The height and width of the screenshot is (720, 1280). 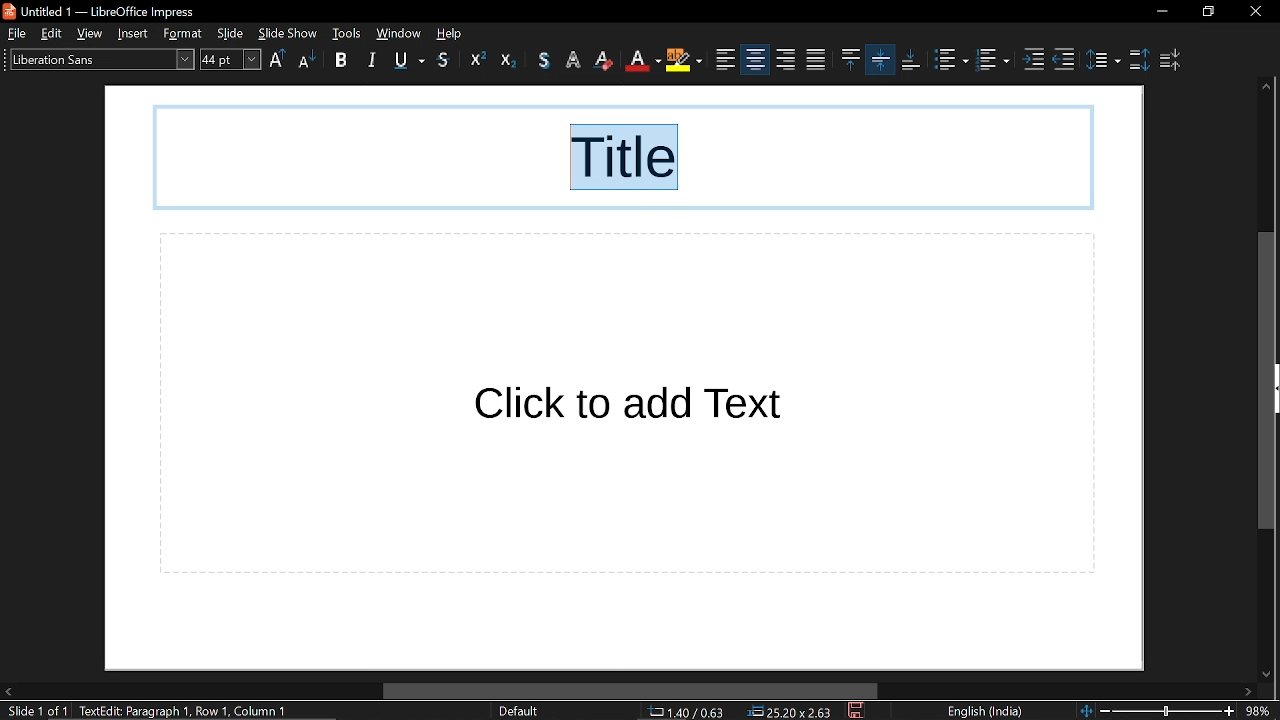 I want to click on highlight, so click(x=644, y=60).